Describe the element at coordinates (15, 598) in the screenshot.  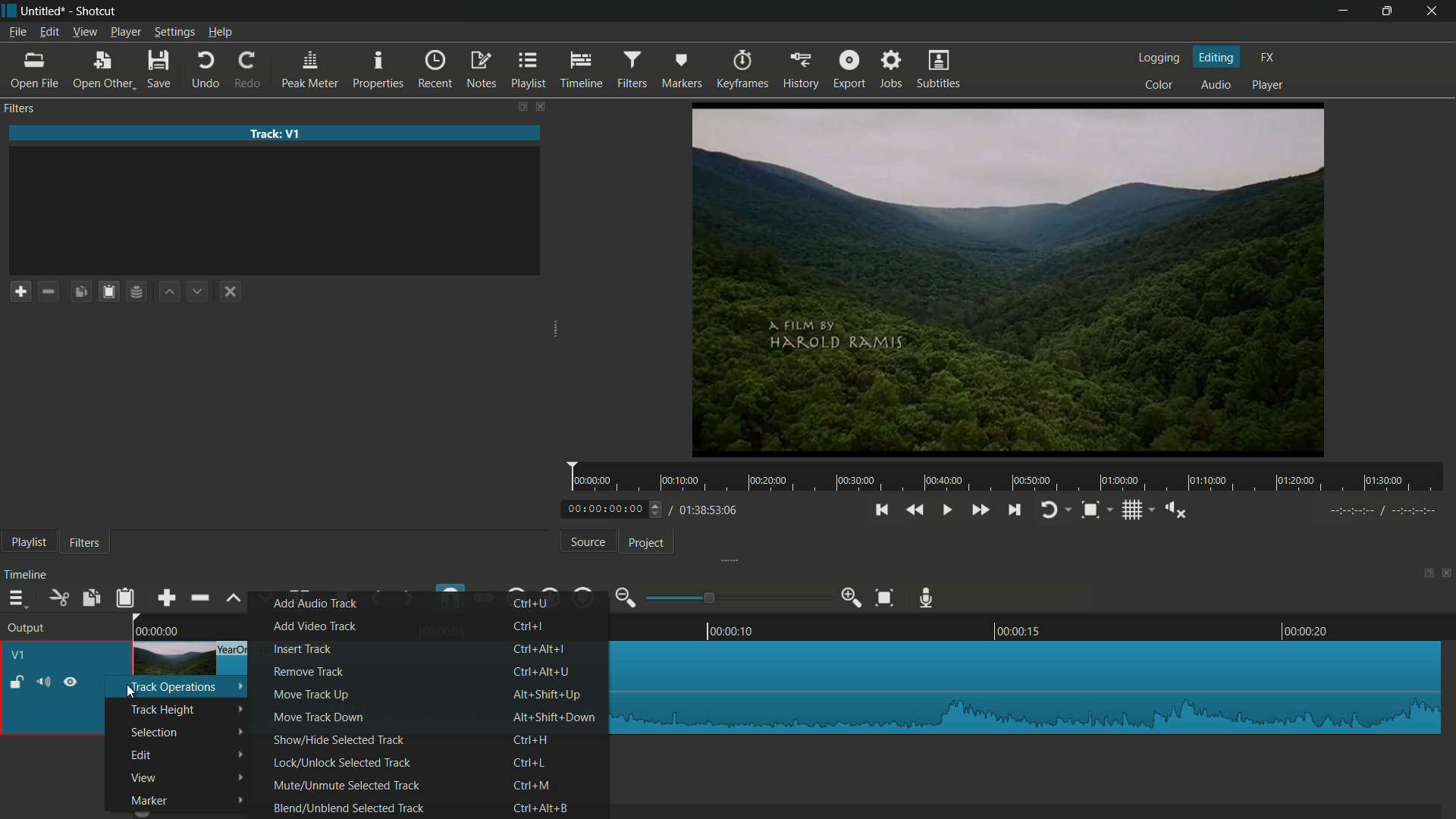
I see `timeline menu` at that location.